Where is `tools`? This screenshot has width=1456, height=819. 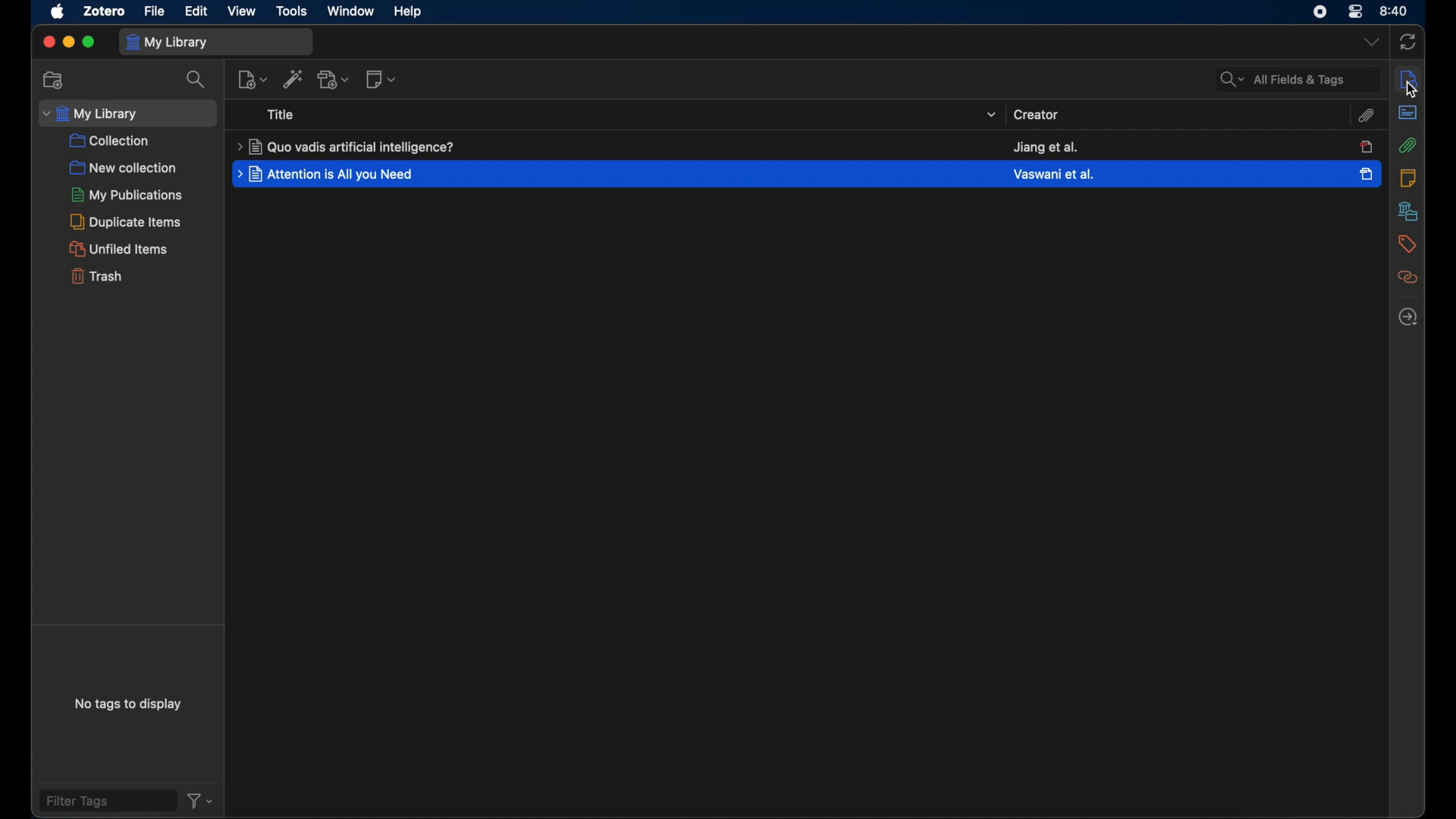 tools is located at coordinates (292, 11).